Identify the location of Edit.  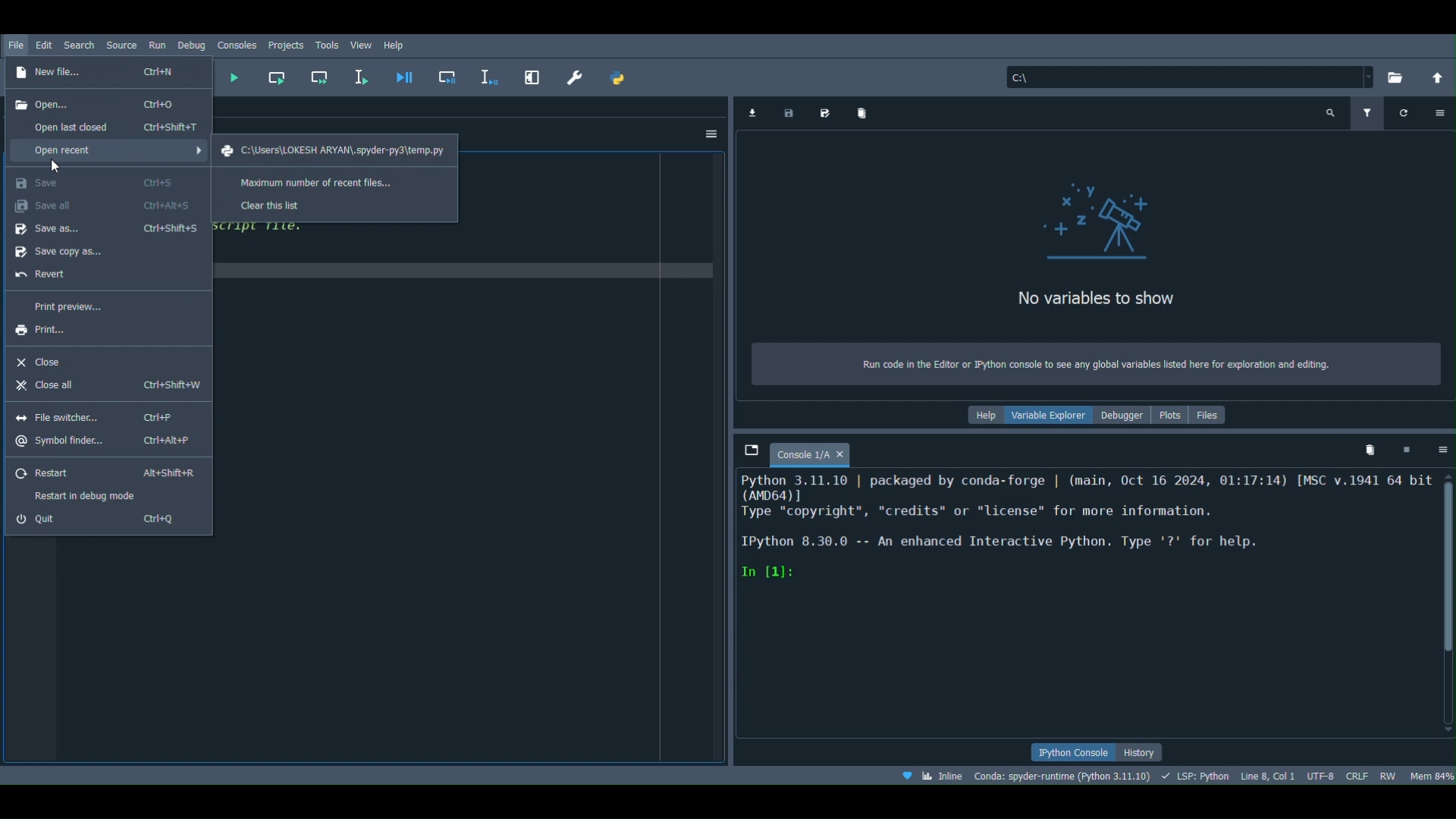
(45, 45).